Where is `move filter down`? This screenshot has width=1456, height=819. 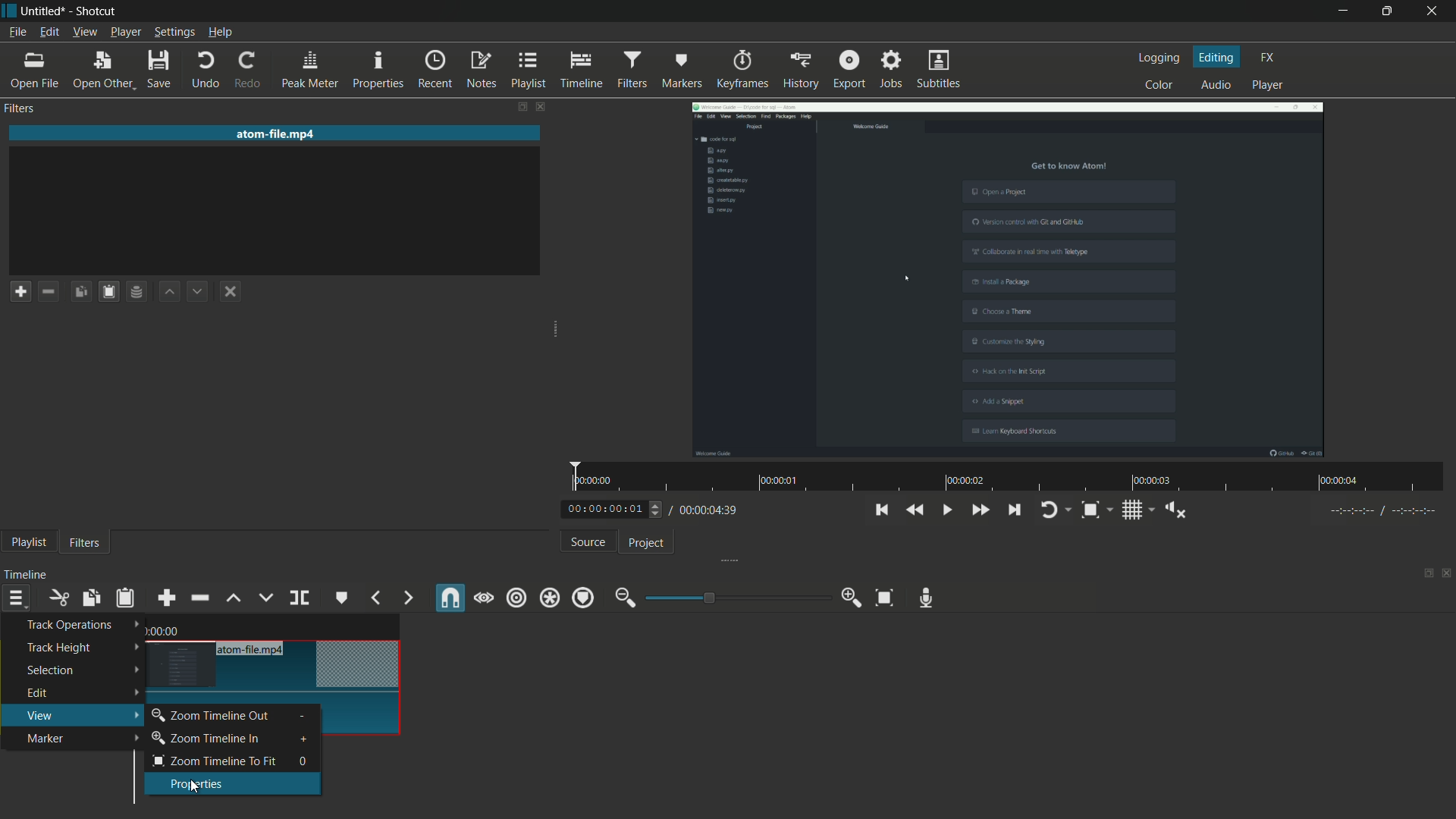
move filter down is located at coordinates (198, 293).